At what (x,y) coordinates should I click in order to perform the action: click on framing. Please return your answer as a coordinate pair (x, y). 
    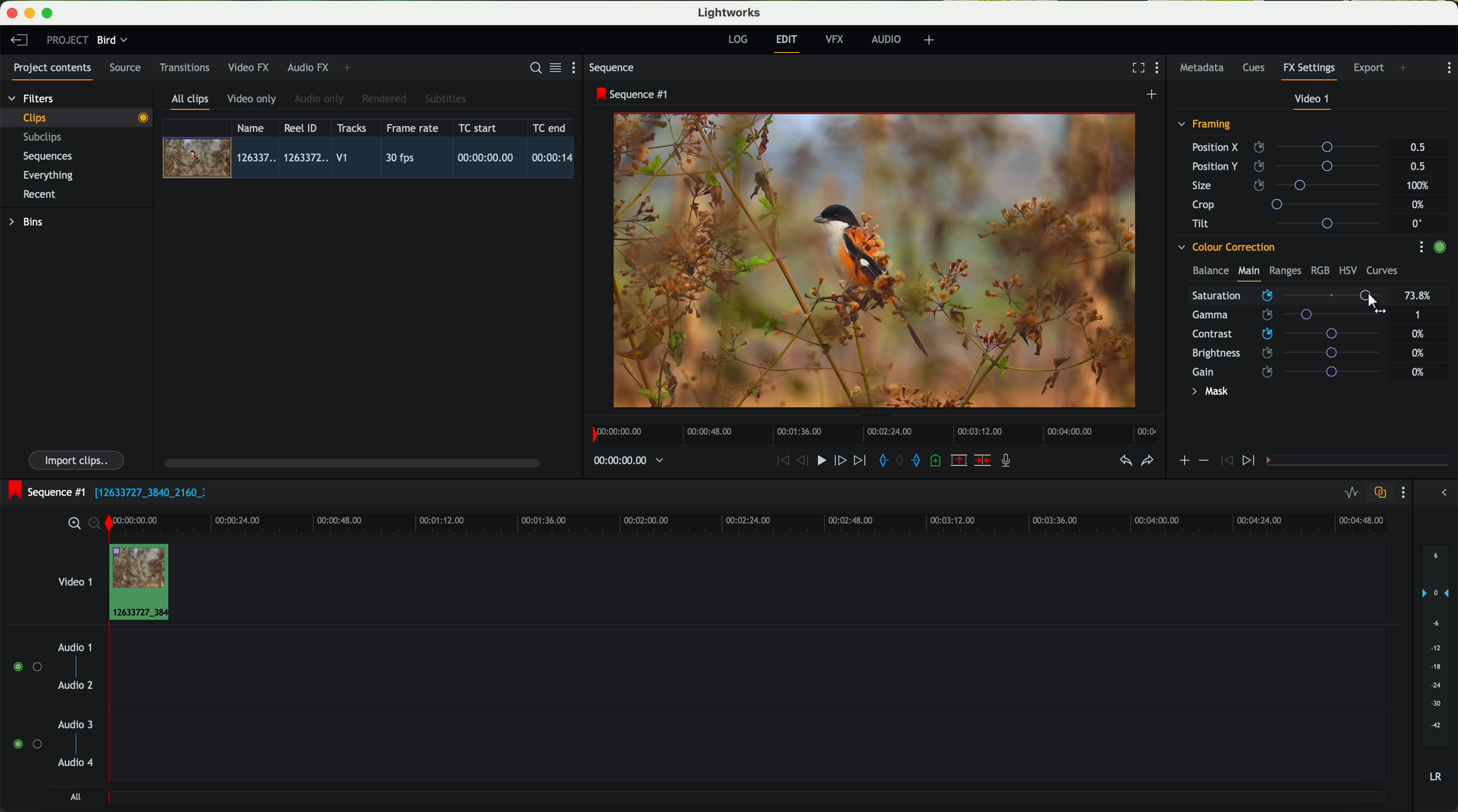
    Looking at the image, I should click on (1205, 126).